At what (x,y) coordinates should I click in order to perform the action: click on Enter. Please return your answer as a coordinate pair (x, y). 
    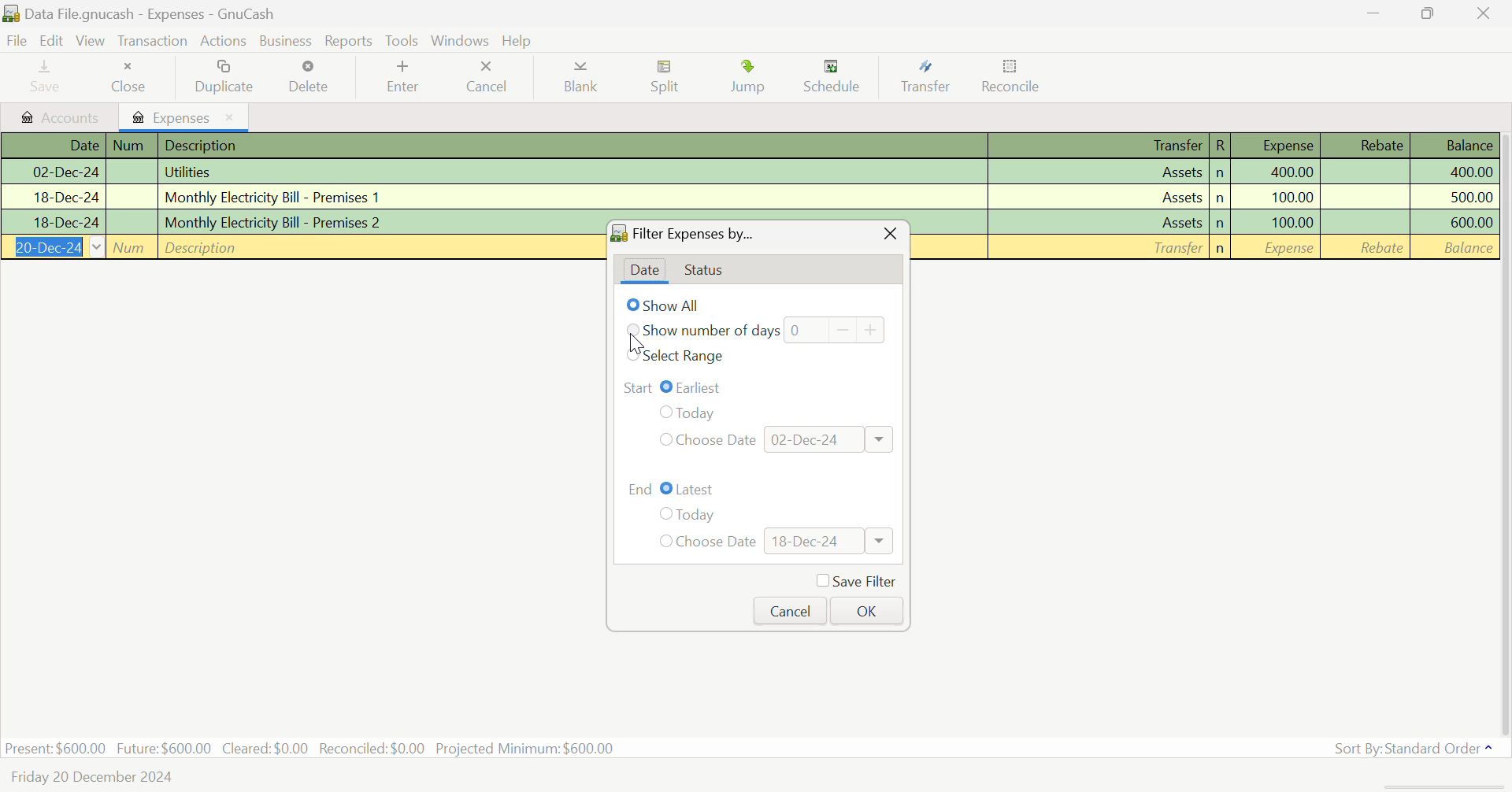
    Looking at the image, I should click on (406, 76).